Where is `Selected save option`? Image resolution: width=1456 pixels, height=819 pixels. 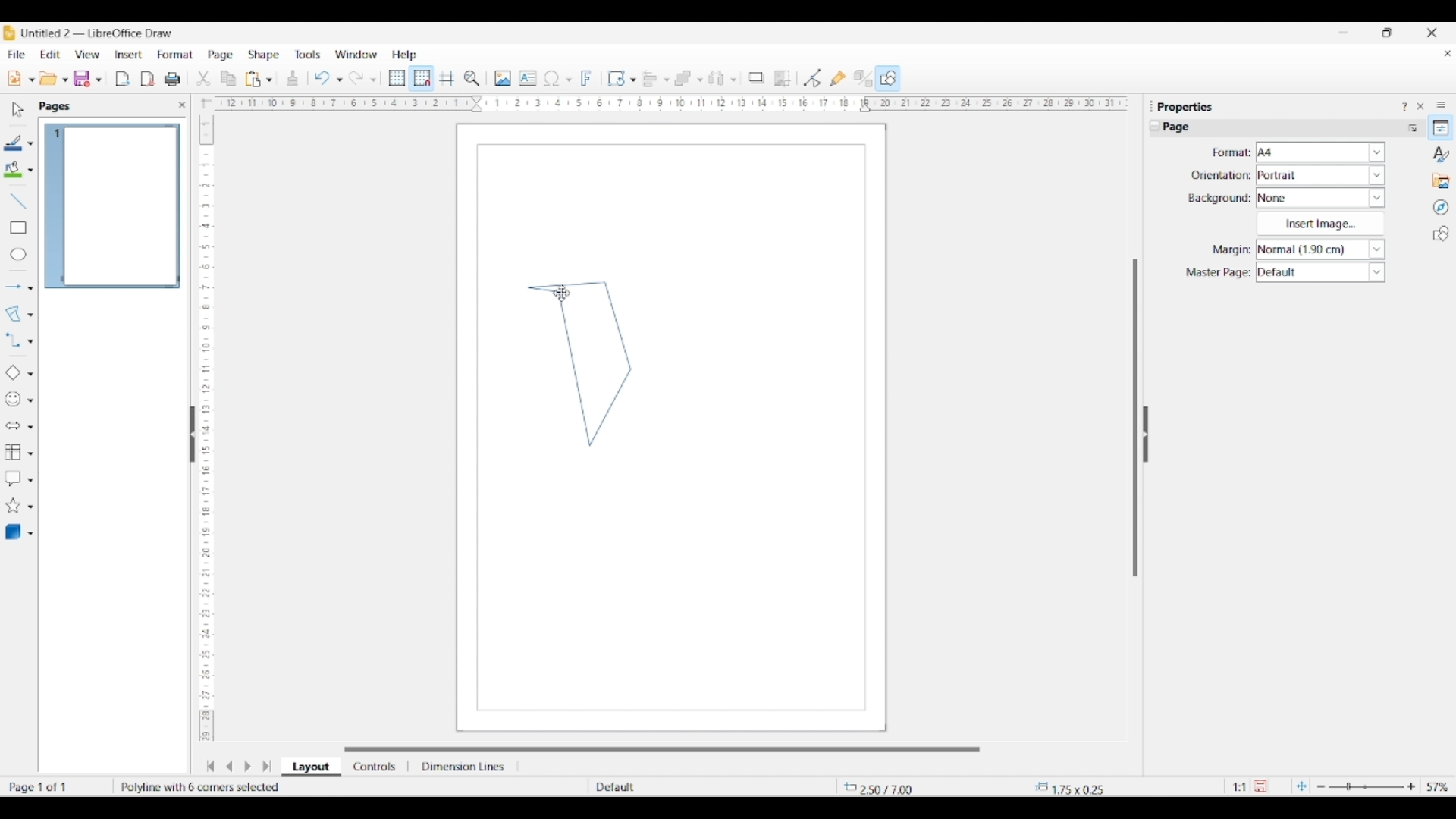 Selected save option is located at coordinates (83, 78).